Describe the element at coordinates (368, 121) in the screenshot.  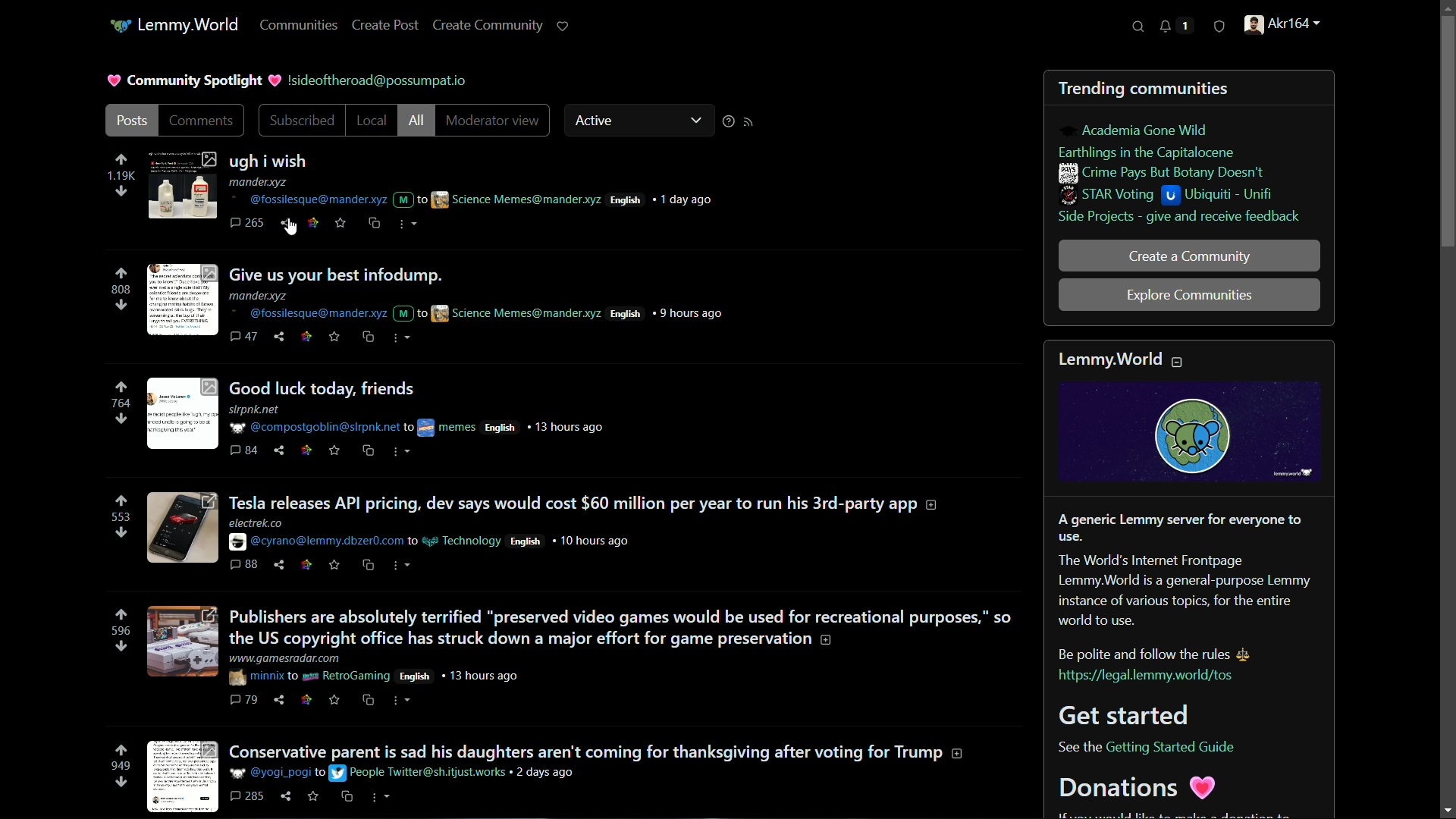
I see `local` at that location.